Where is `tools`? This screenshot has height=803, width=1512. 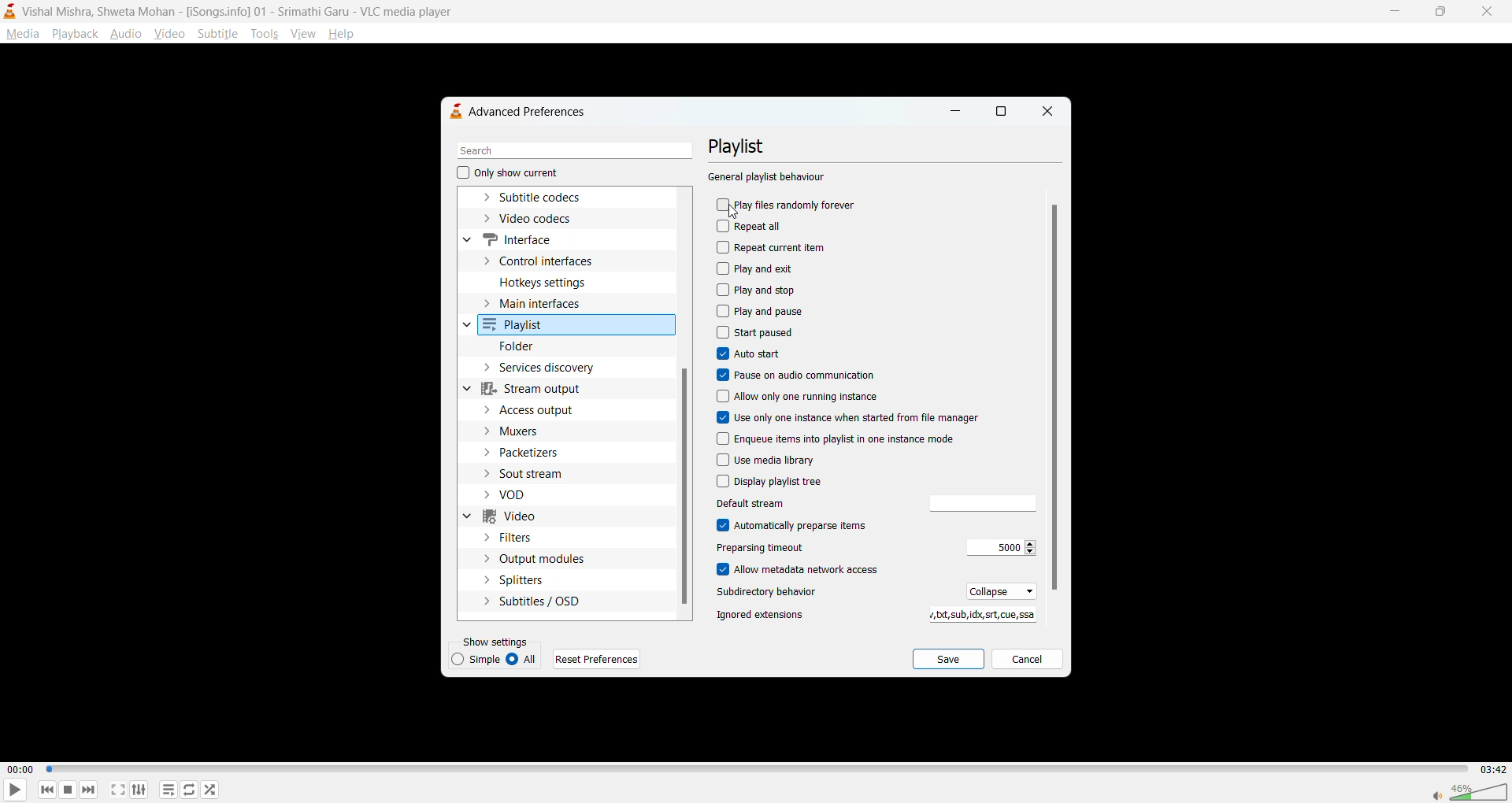
tools is located at coordinates (263, 34).